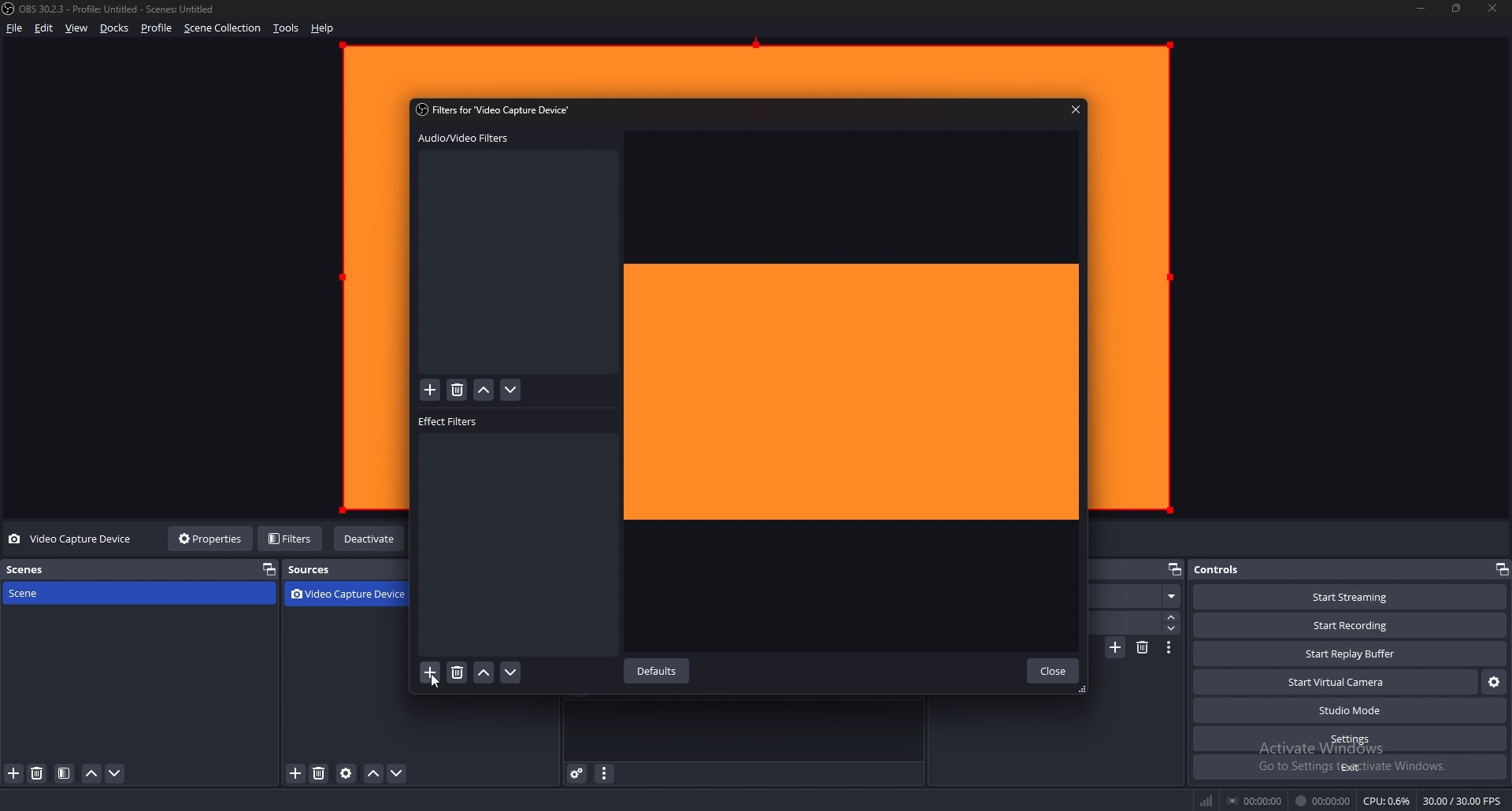 The width and height of the screenshot is (1512, 811). Describe the element at coordinates (1174, 571) in the screenshot. I see `popout` at that location.